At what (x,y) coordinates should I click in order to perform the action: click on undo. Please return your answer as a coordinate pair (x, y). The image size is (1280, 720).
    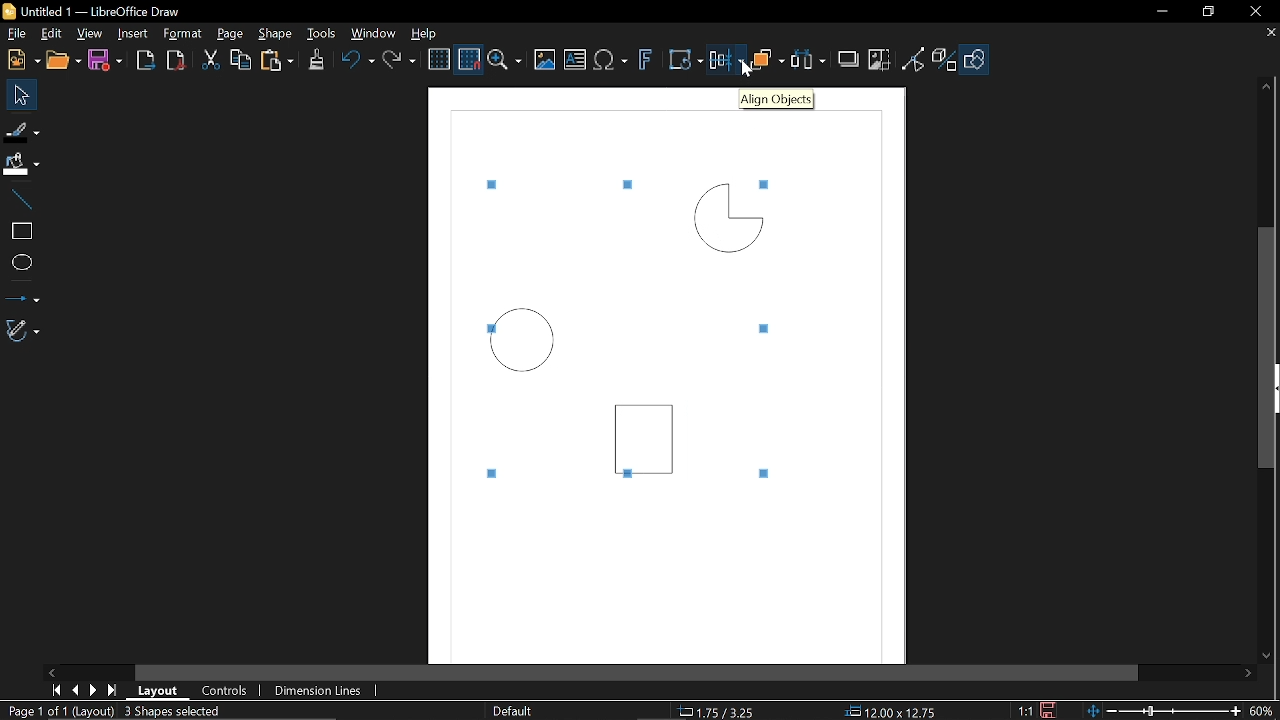
    Looking at the image, I should click on (359, 62).